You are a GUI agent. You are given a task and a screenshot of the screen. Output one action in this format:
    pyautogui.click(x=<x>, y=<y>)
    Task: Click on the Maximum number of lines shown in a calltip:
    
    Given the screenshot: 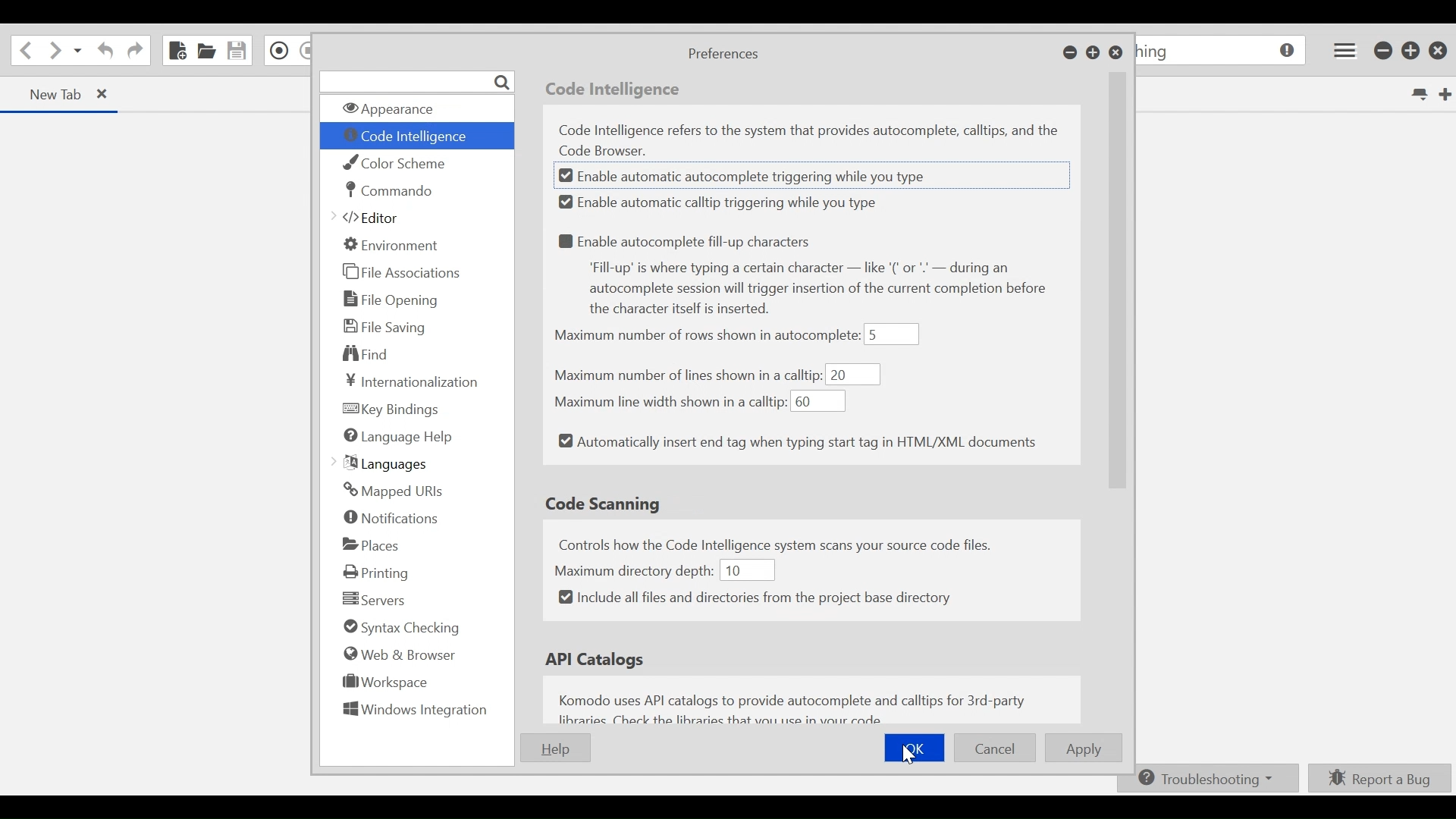 What is the action you would take?
    pyautogui.click(x=688, y=375)
    